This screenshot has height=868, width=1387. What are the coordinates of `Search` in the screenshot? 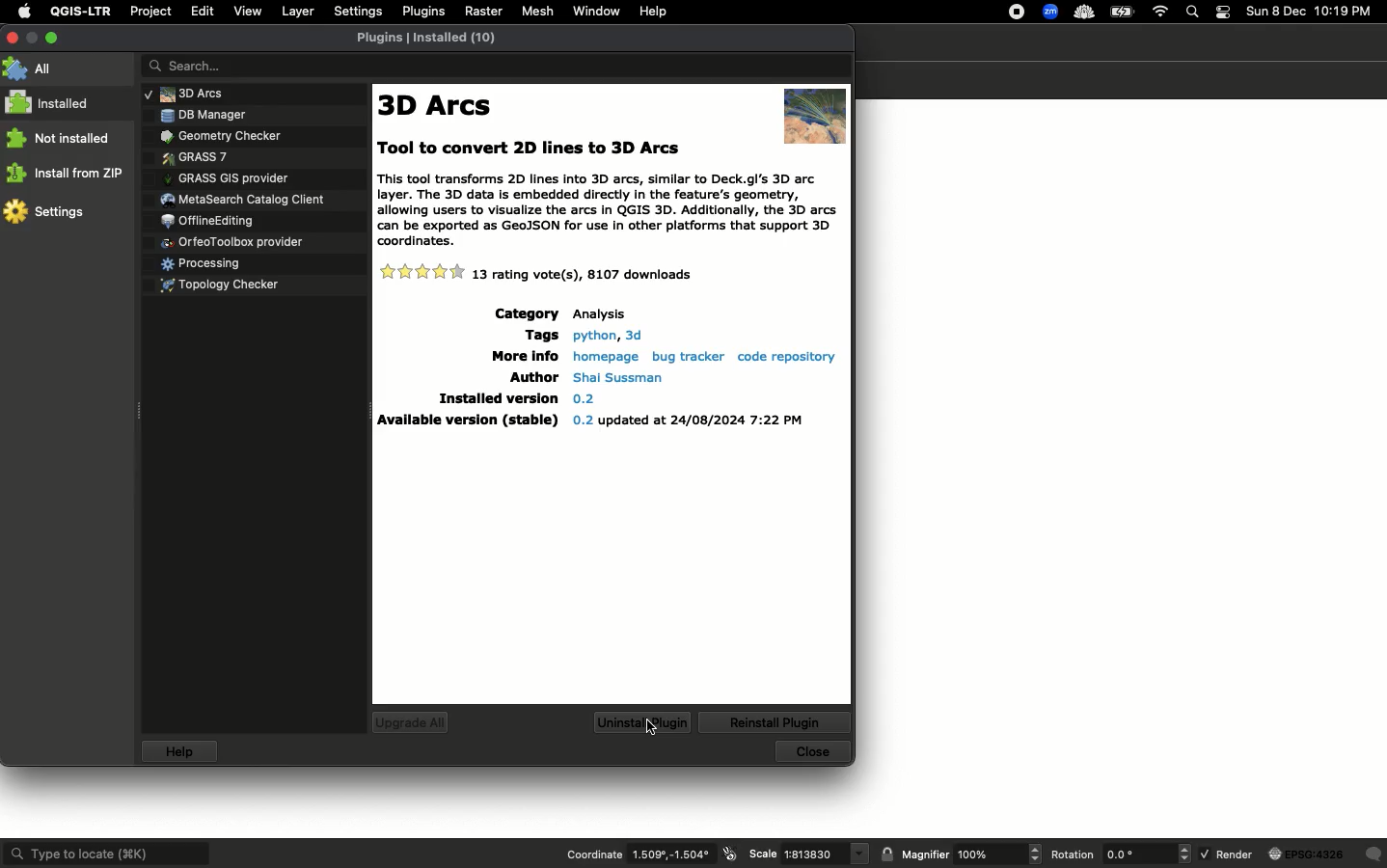 It's located at (1194, 12).